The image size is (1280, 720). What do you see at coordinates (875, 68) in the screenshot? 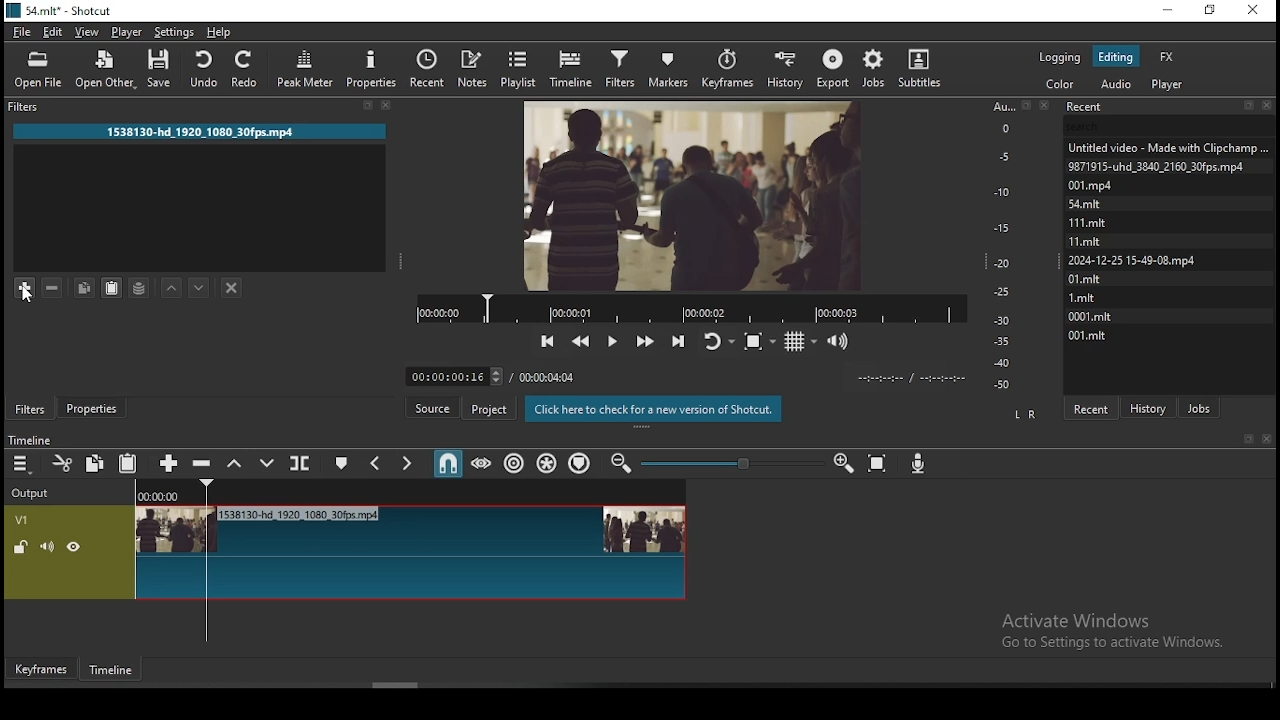
I see `jobs` at bounding box center [875, 68].